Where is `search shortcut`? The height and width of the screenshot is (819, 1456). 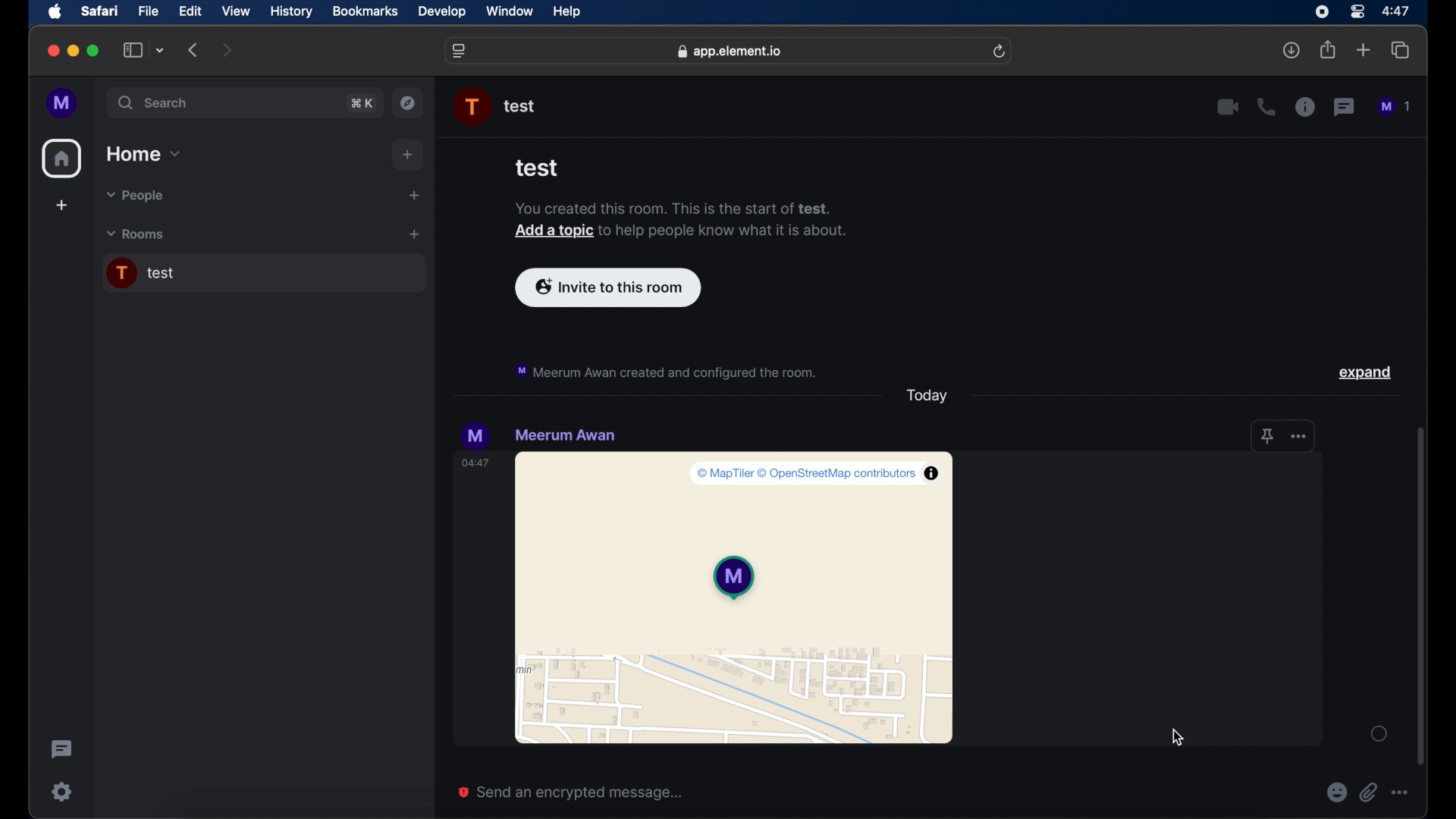 search shortcut is located at coordinates (361, 102).